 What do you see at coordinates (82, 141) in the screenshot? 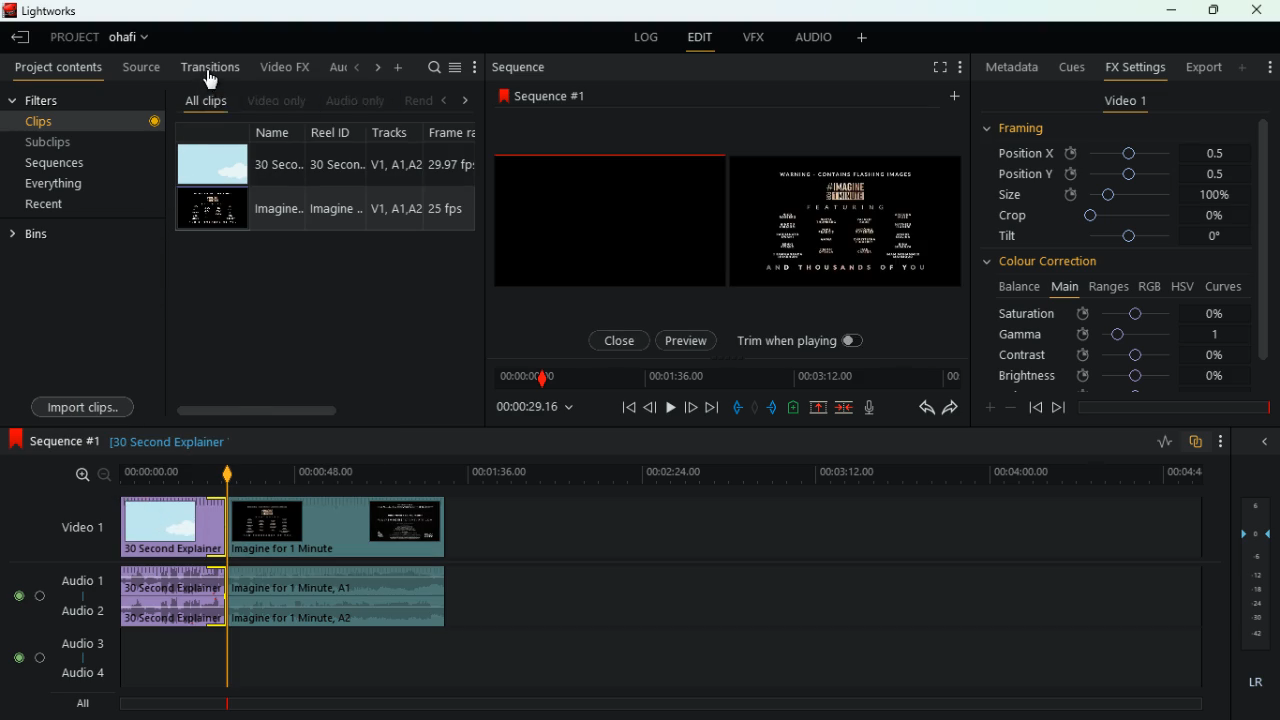
I see `subclips` at bounding box center [82, 141].